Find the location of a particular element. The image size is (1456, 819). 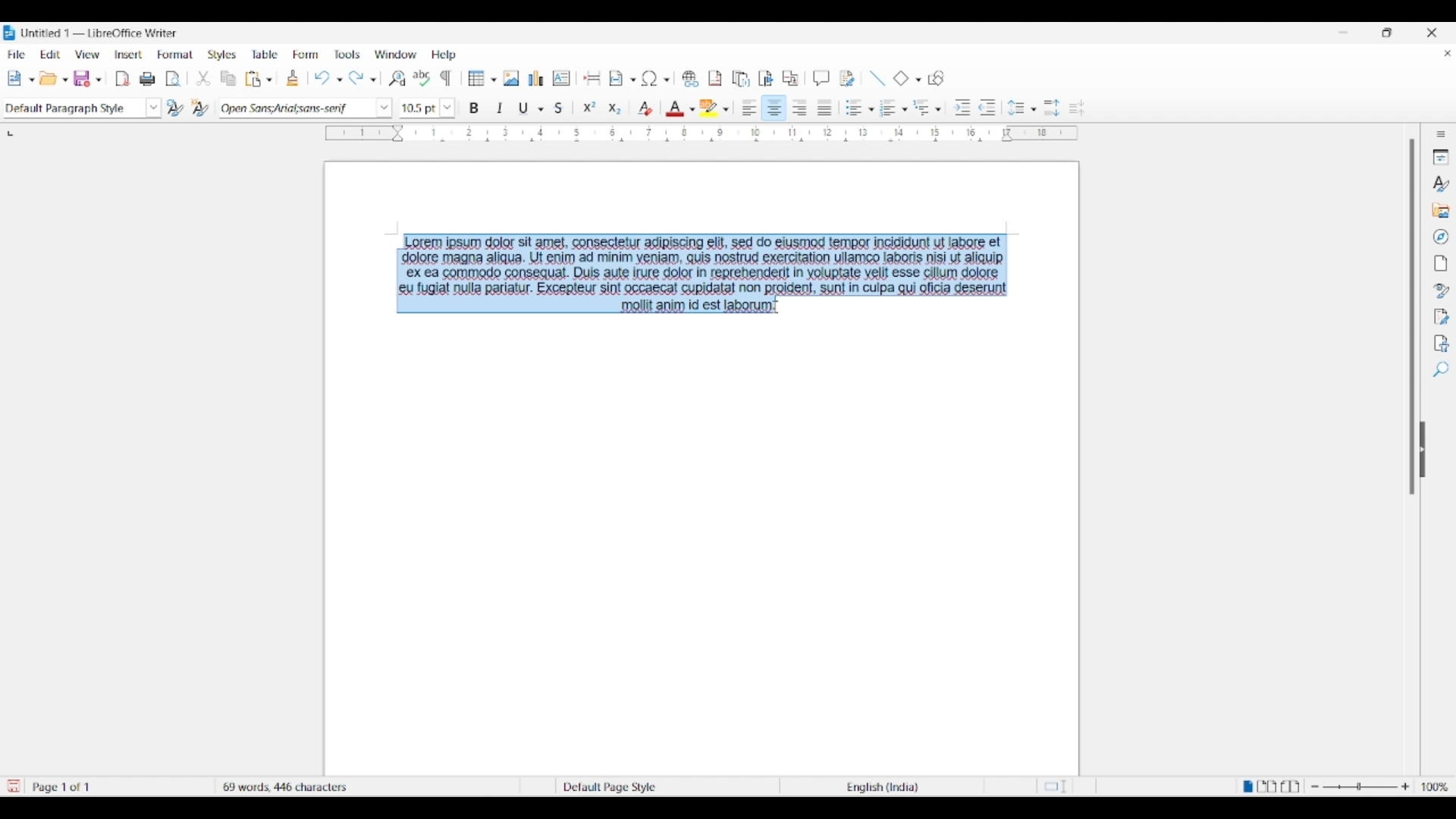

Window is located at coordinates (396, 54).